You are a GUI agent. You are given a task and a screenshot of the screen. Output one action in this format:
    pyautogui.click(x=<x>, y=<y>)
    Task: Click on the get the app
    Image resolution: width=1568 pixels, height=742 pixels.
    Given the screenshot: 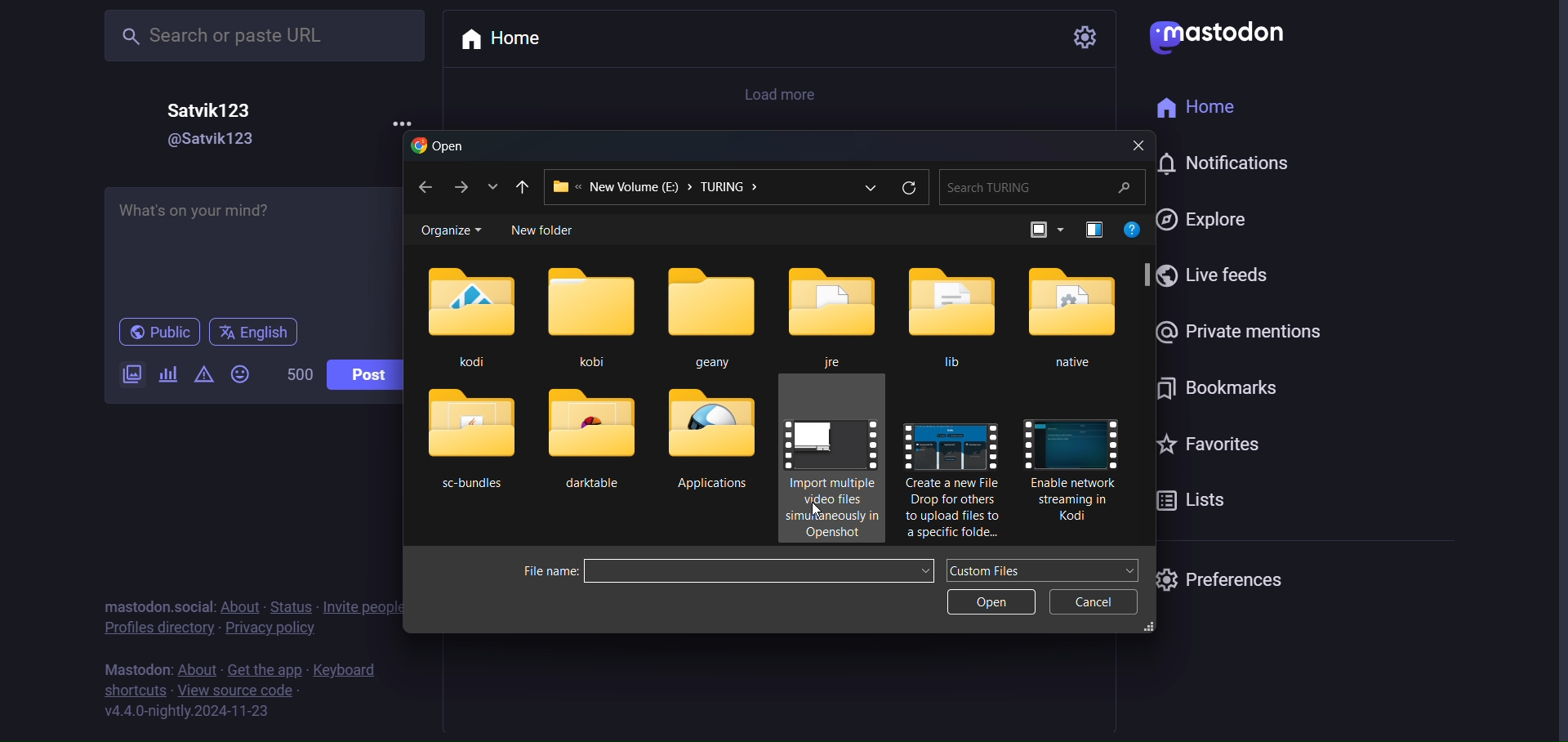 What is the action you would take?
    pyautogui.click(x=265, y=670)
    